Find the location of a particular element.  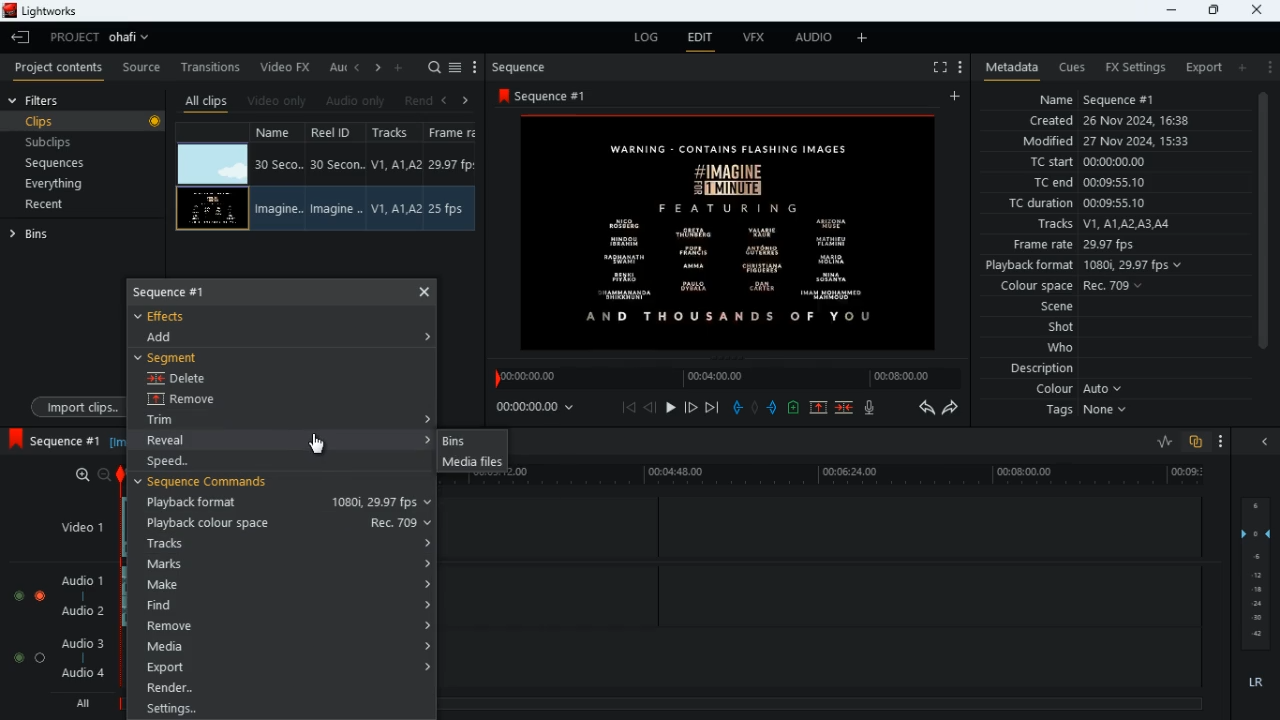

end is located at coordinates (710, 407).